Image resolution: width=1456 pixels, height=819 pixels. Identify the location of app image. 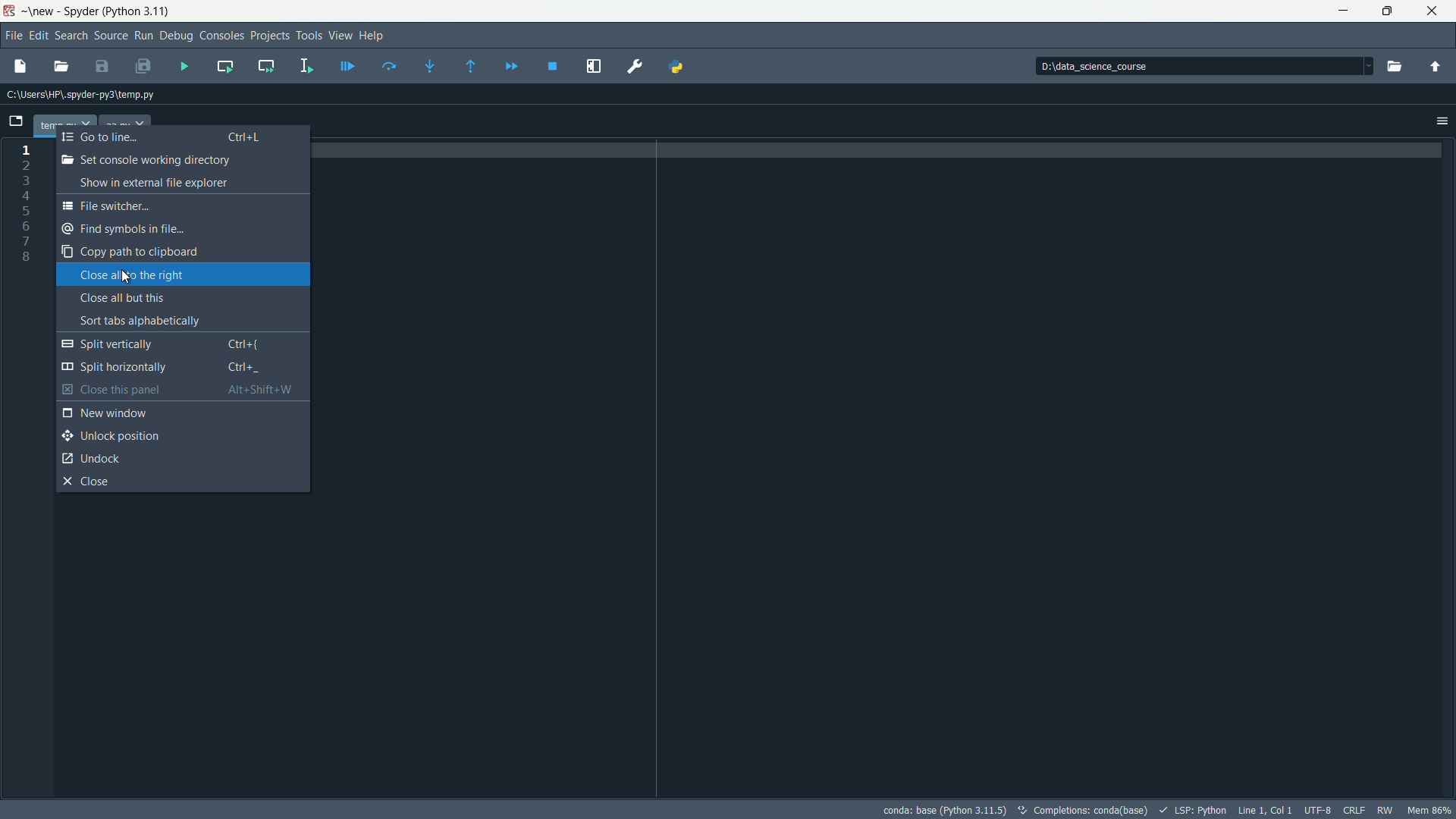
(13, 12).